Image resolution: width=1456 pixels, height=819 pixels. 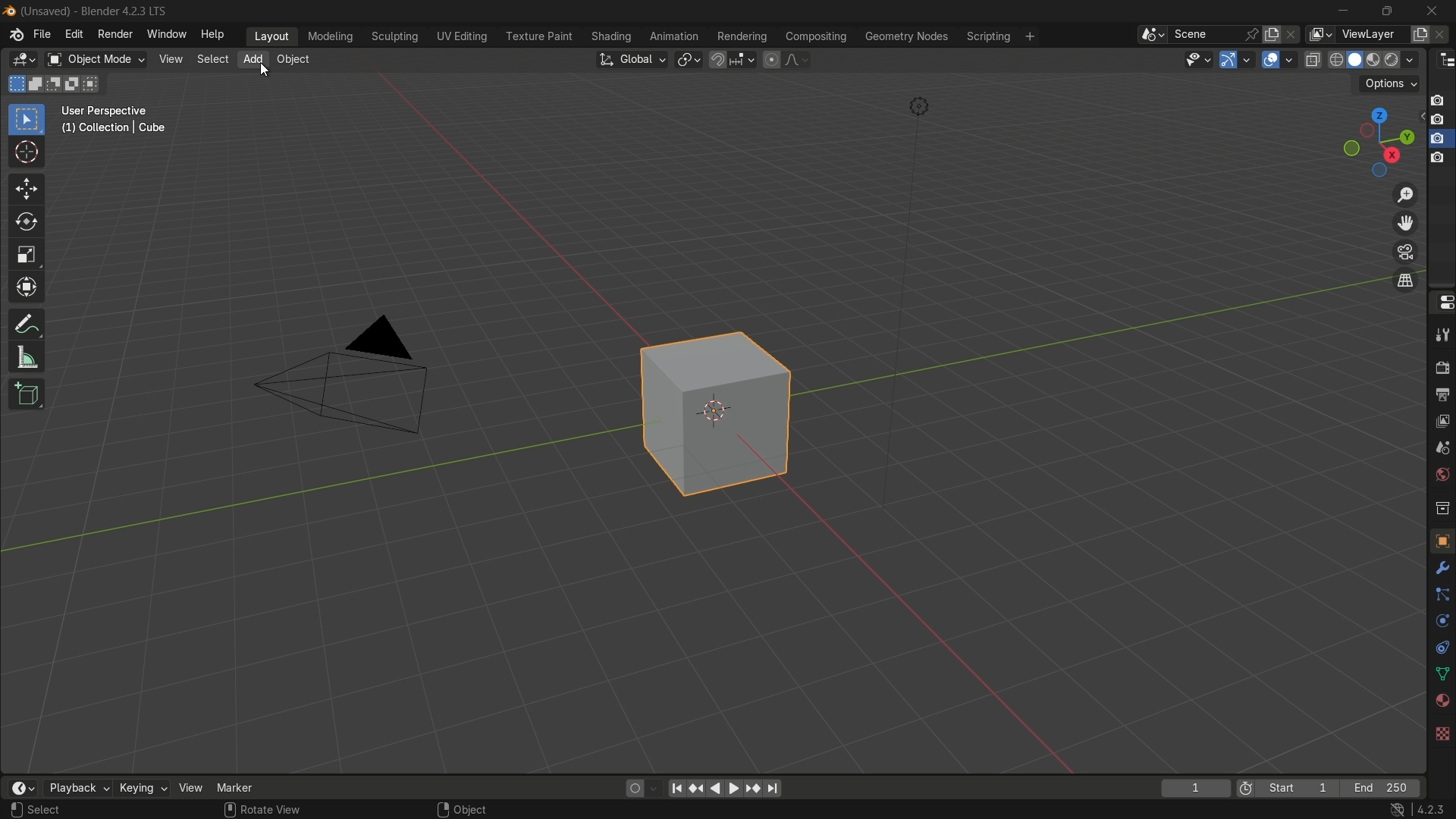 I want to click on compositing, so click(x=816, y=36).